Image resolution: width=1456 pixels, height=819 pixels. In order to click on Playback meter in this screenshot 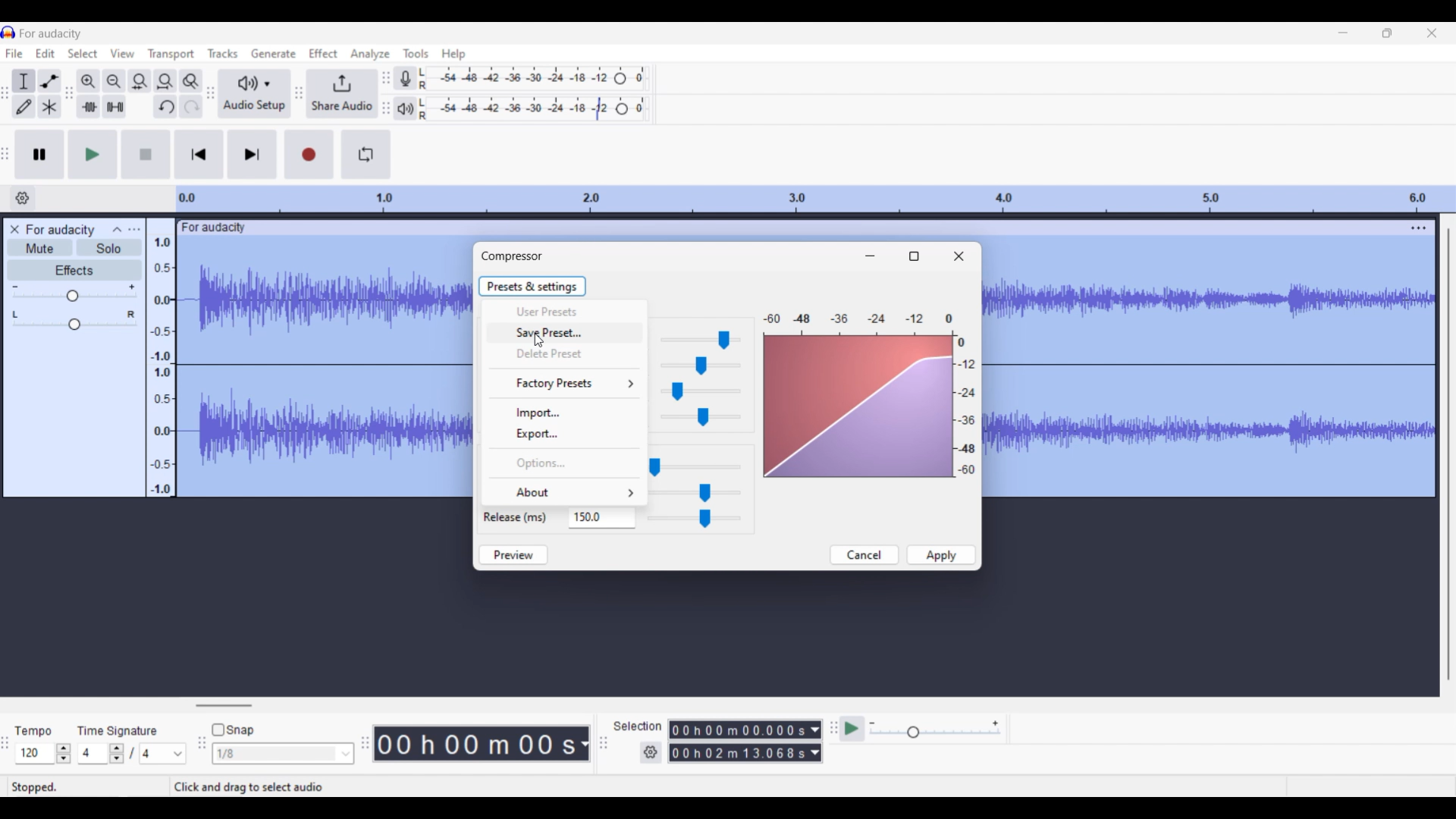, I will do `click(405, 109)`.